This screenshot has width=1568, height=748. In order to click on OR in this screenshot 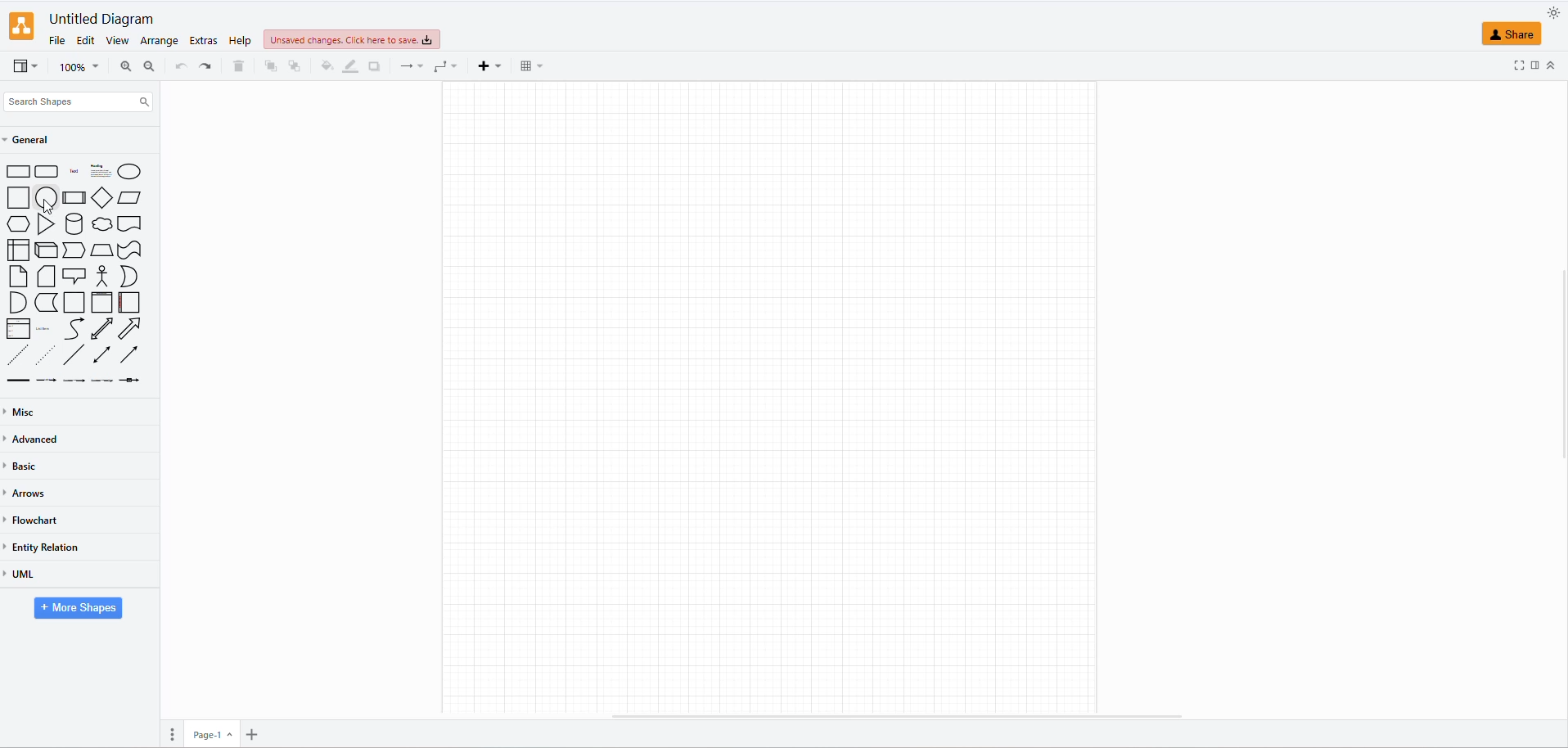, I will do `click(125, 276)`.